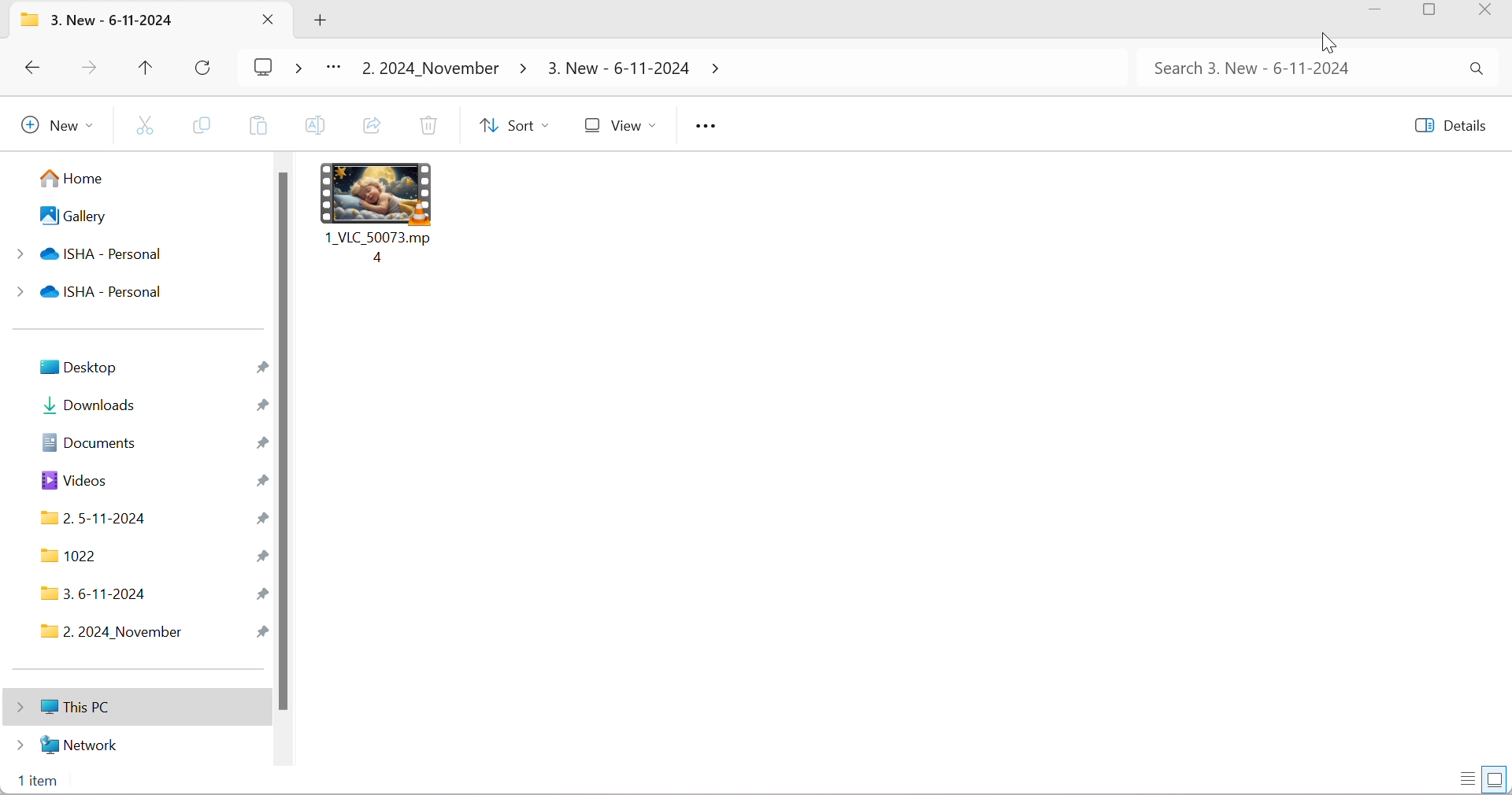  I want to click on Share, so click(372, 125).